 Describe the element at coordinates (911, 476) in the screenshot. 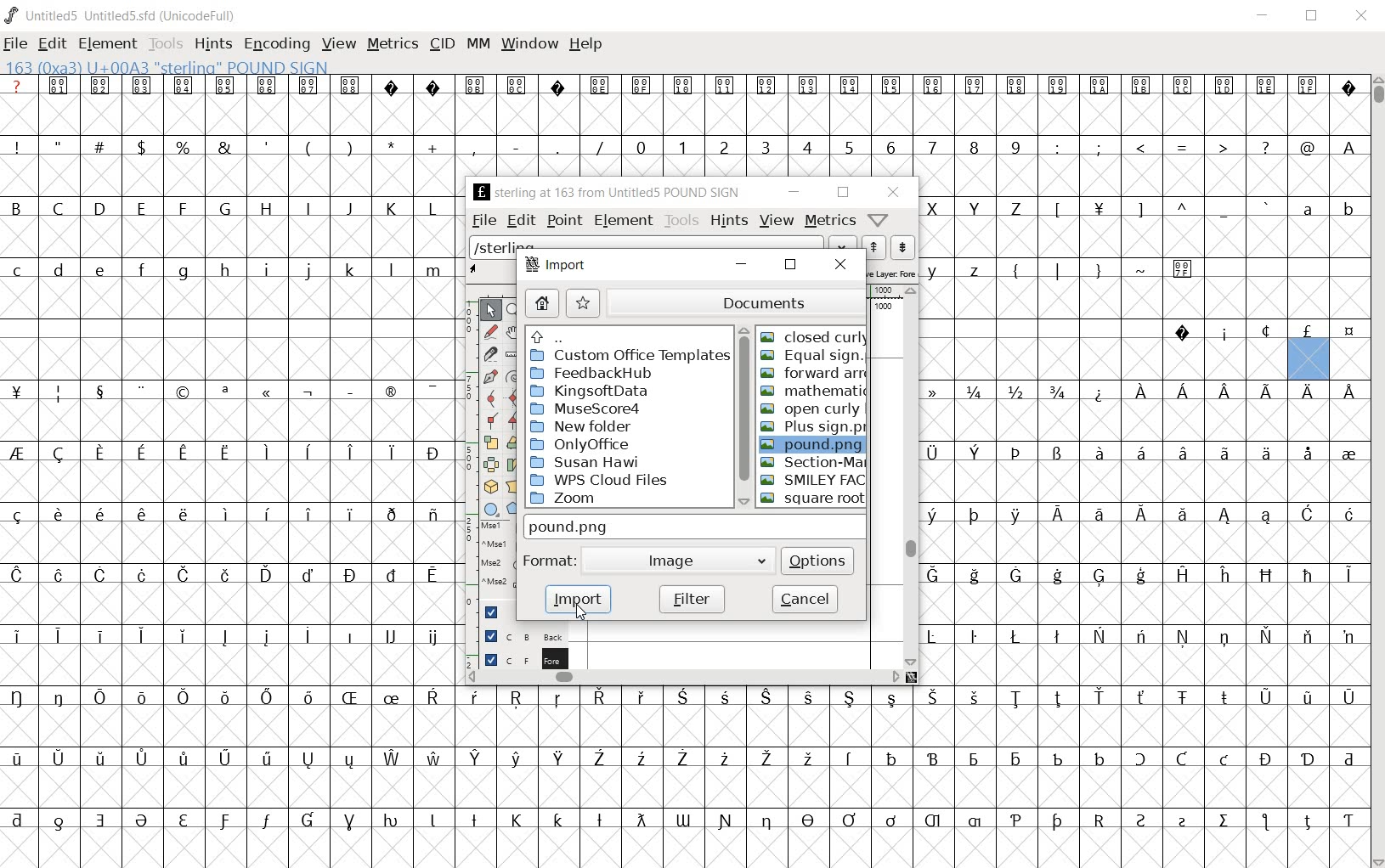

I see `scrollbar` at that location.